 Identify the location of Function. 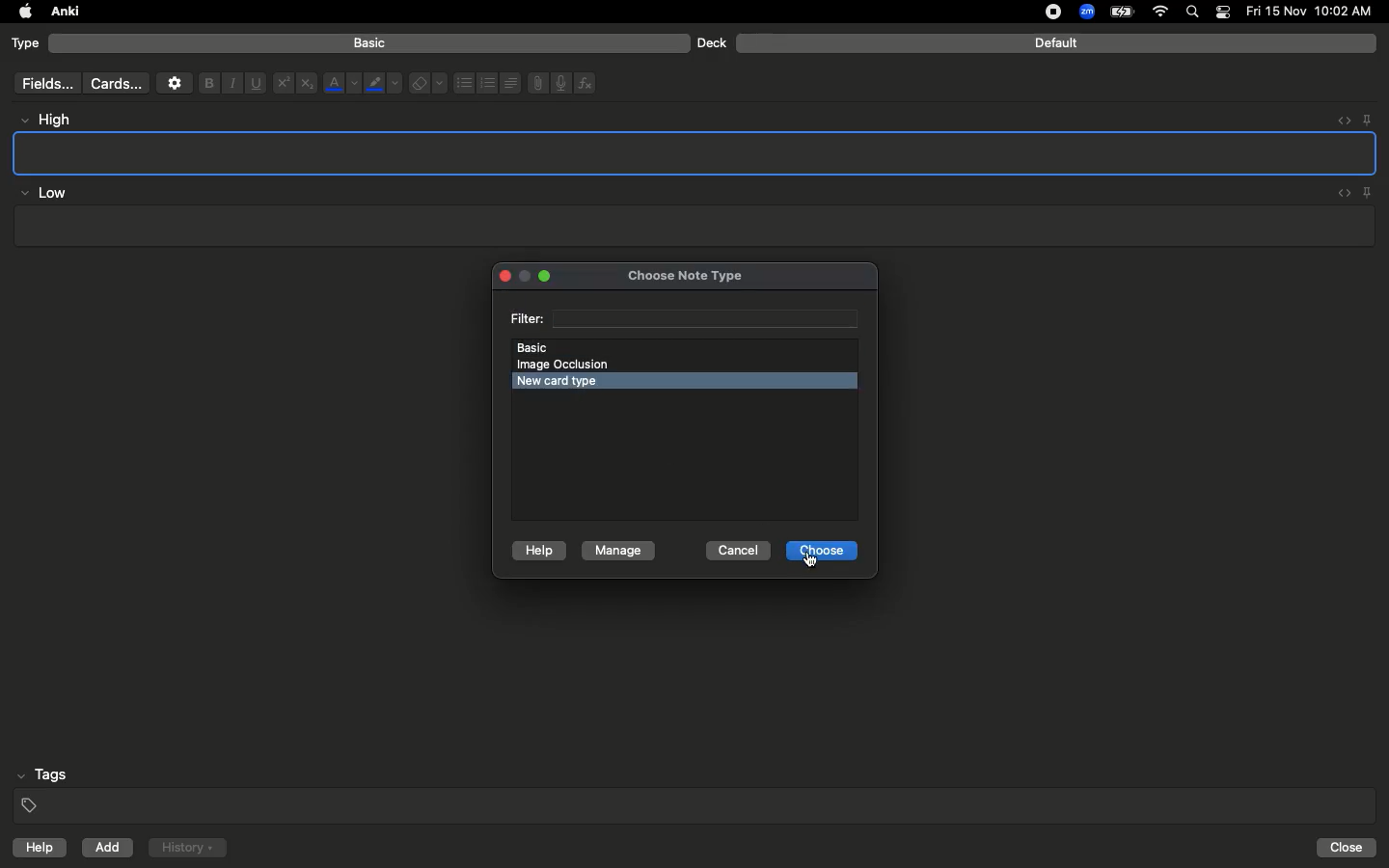
(586, 83).